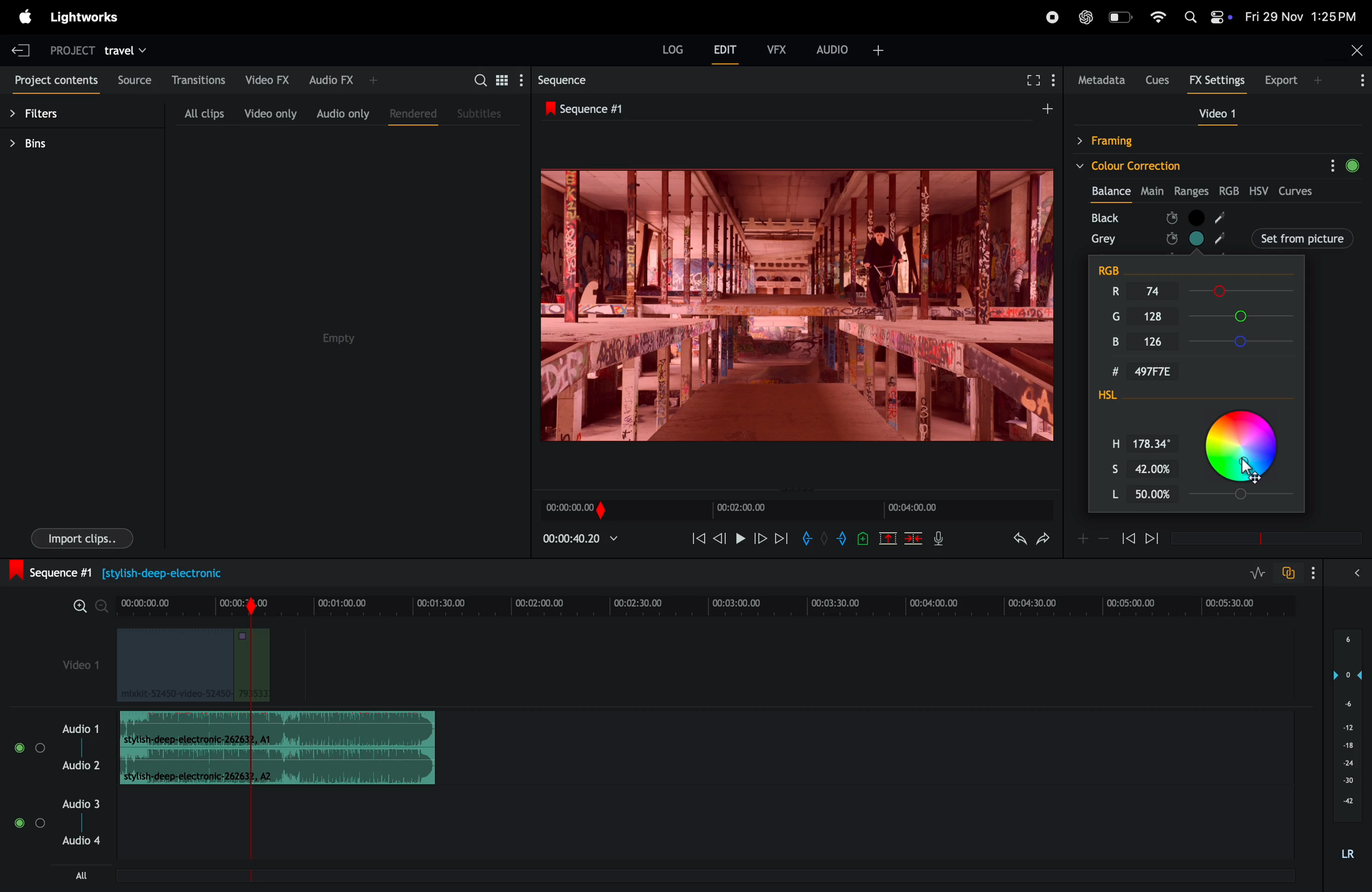 The width and height of the screenshot is (1372, 892). I want to click on transitions, so click(199, 79).